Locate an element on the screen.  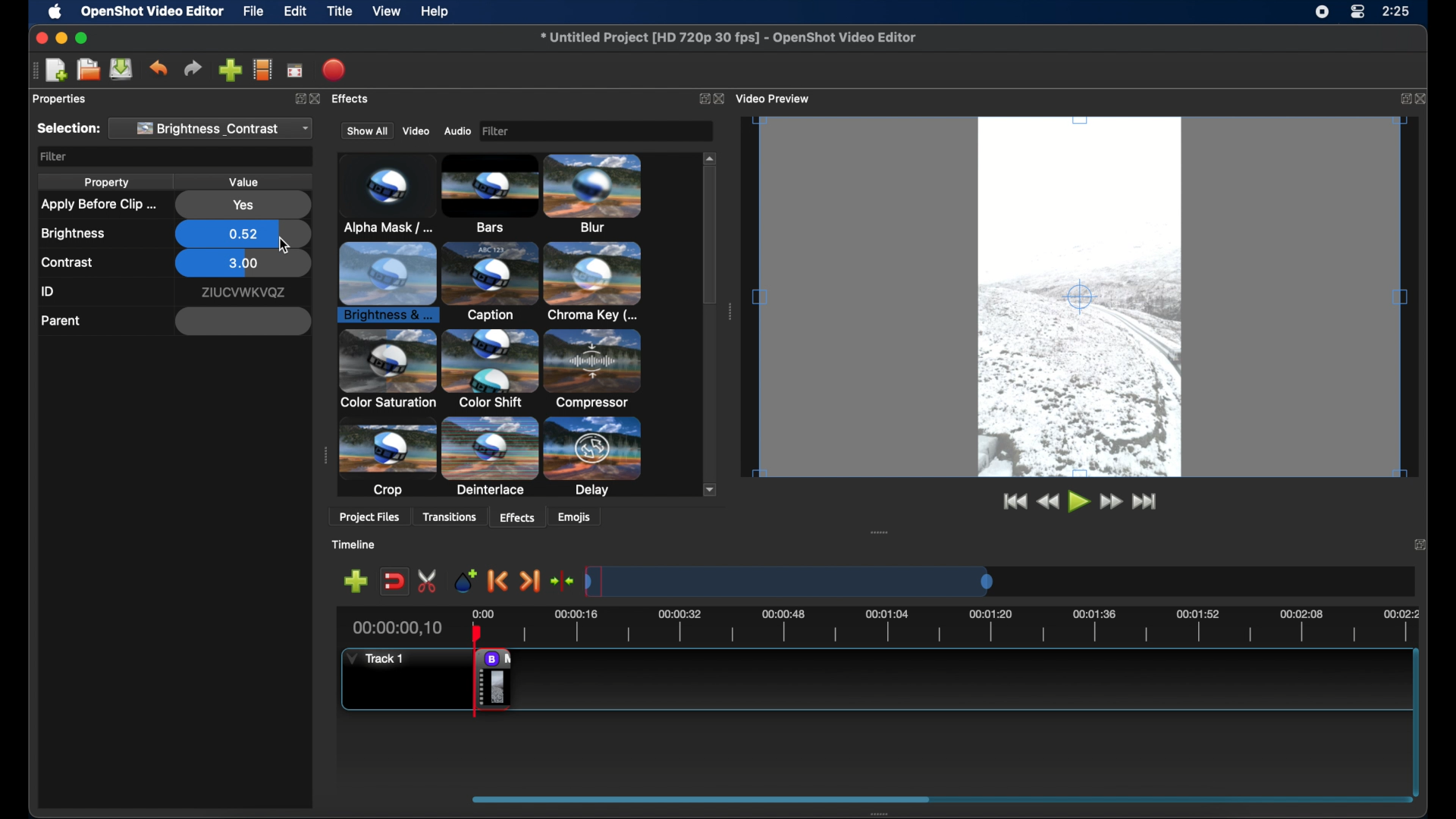
video preview is located at coordinates (779, 97).